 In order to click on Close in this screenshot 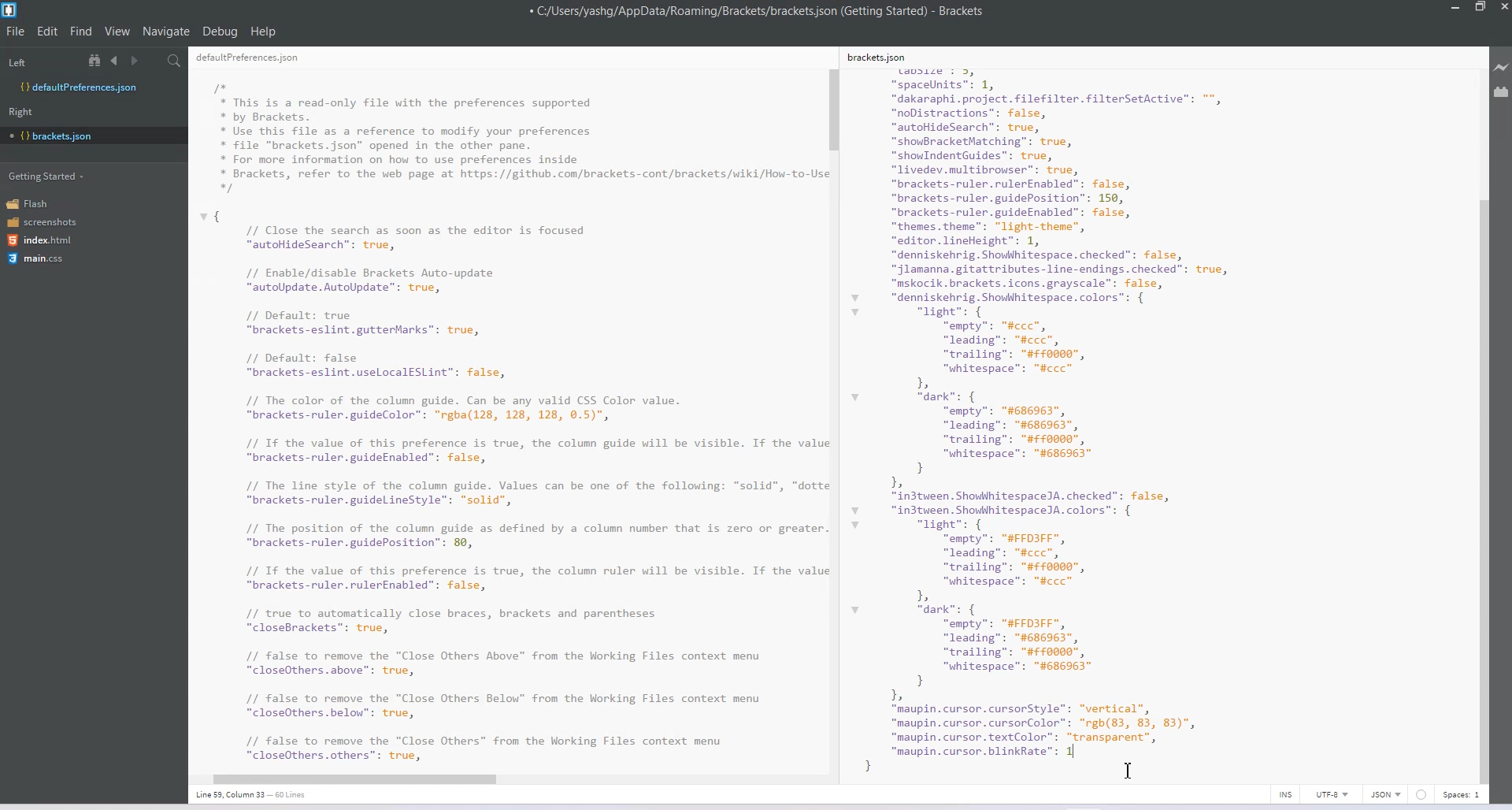, I will do `click(1503, 9)`.